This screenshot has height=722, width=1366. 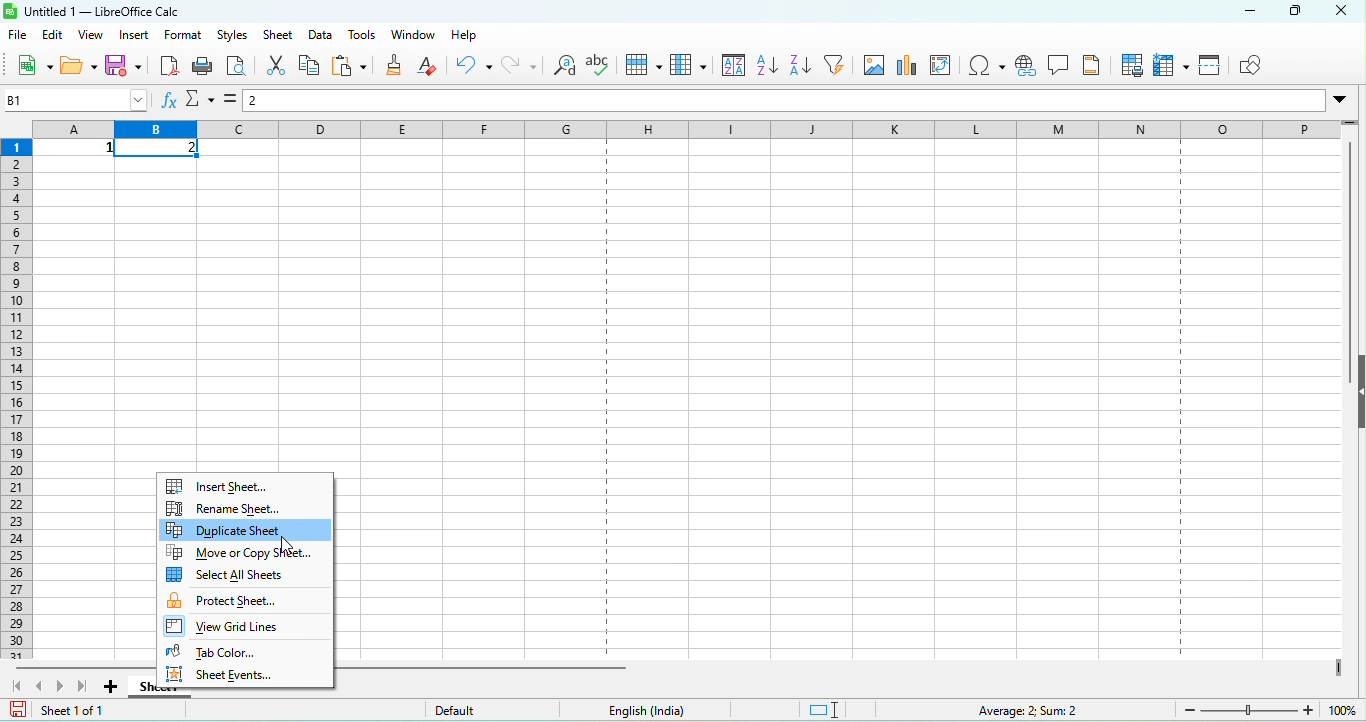 I want to click on format, so click(x=184, y=36).